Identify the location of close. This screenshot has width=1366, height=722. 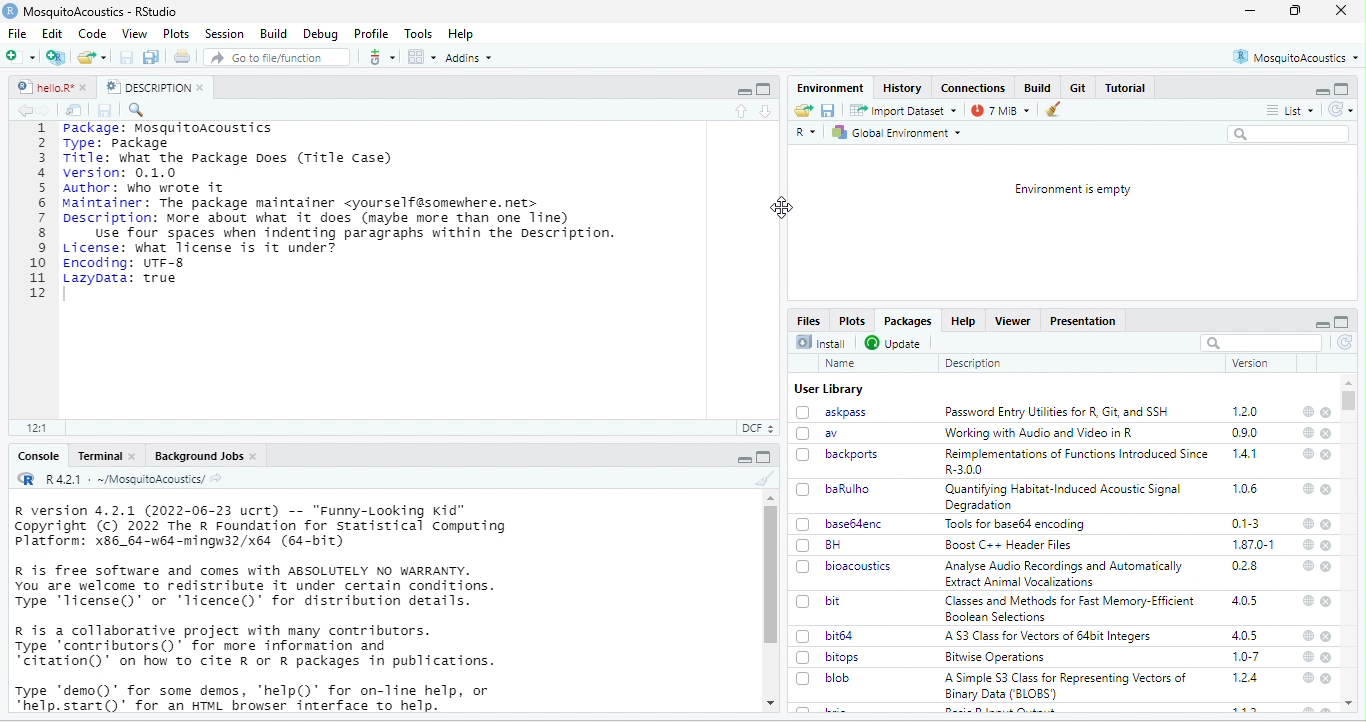
(1342, 11).